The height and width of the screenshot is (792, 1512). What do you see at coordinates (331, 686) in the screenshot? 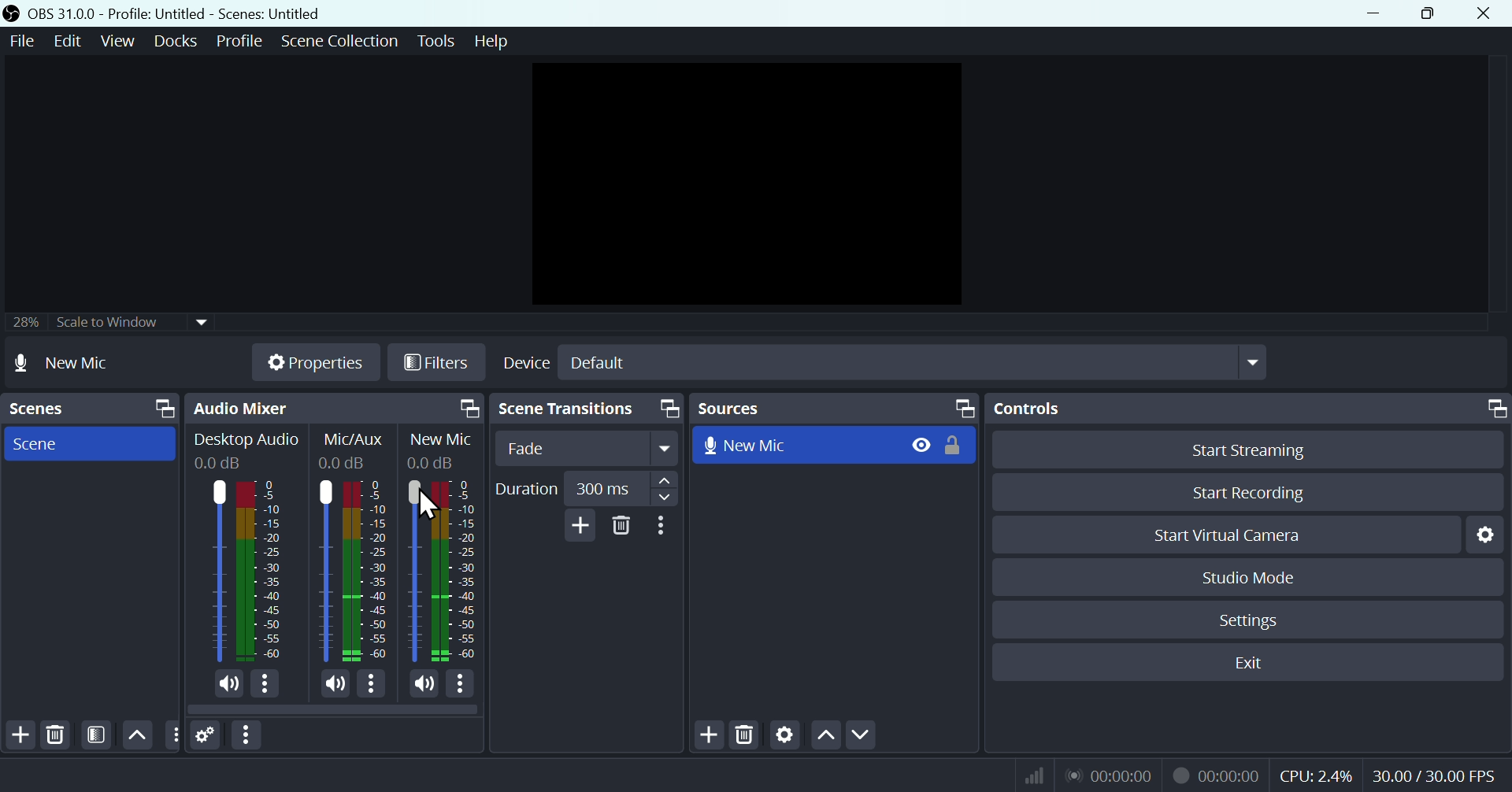
I see `(un)mute` at bounding box center [331, 686].